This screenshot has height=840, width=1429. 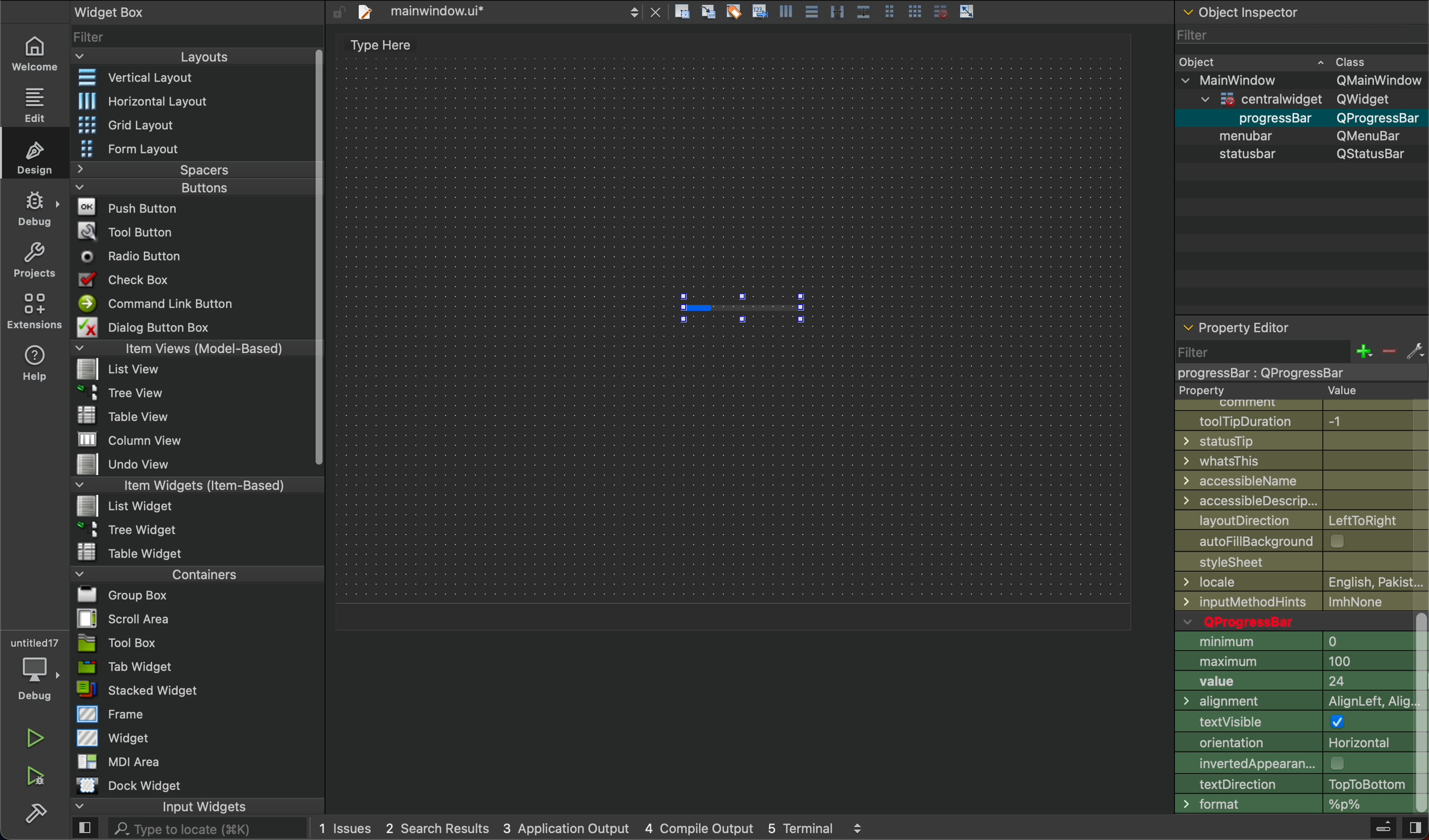 I want to click on whatsthis, so click(x=1303, y=461).